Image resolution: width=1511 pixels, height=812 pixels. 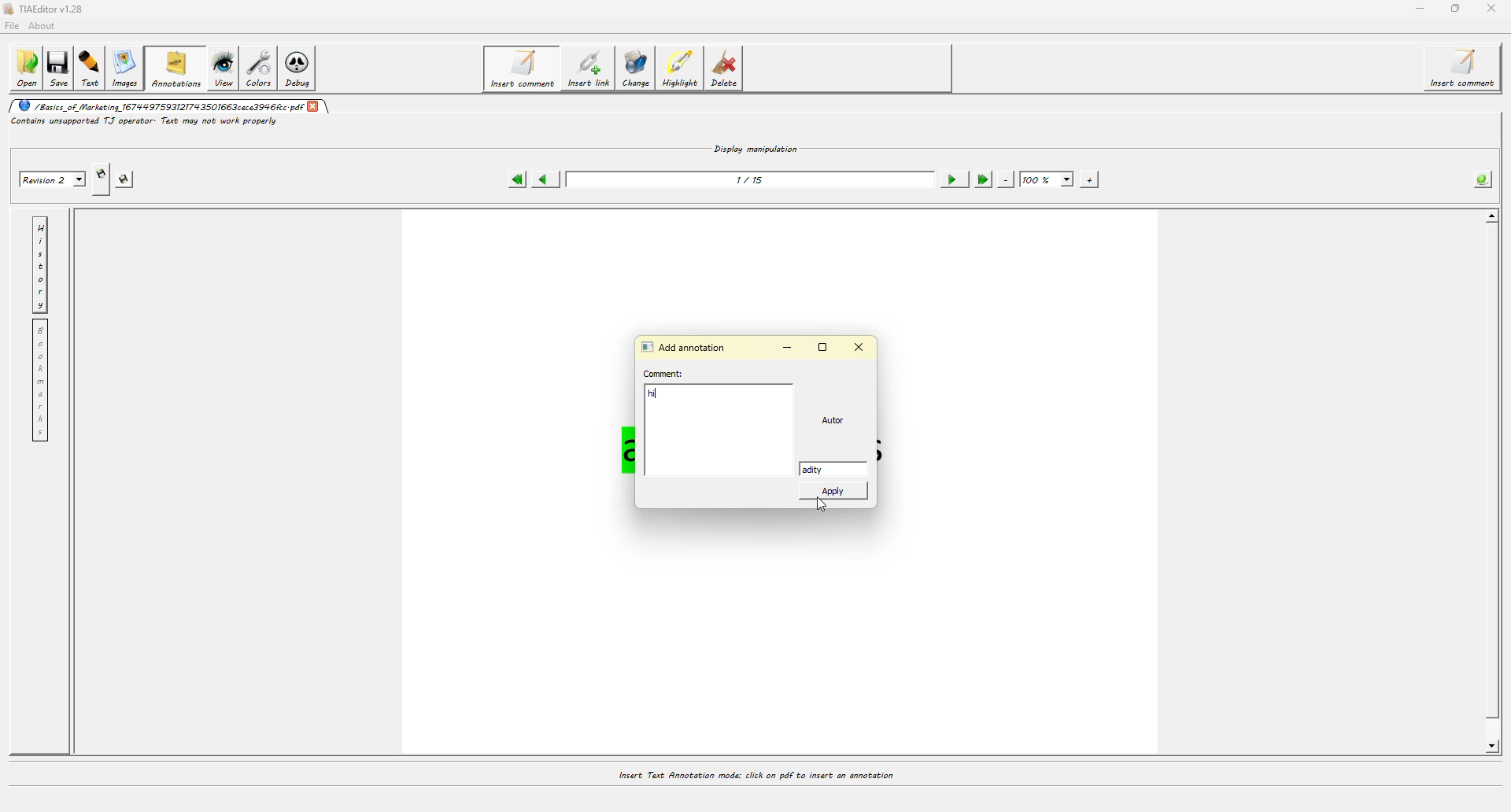 What do you see at coordinates (683, 69) in the screenshot?
I see `highlight` at bounding box center [683, 69].